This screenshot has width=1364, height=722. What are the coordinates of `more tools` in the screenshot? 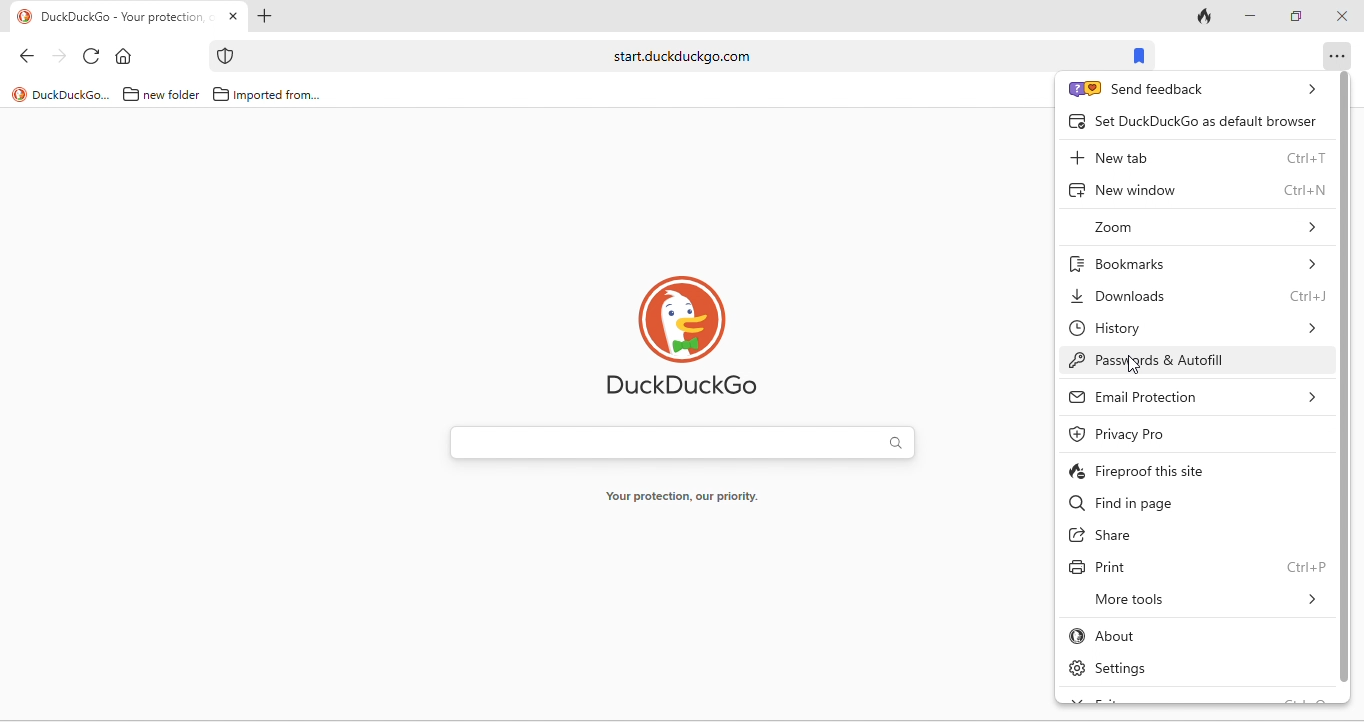 It's located at (1203, 599).